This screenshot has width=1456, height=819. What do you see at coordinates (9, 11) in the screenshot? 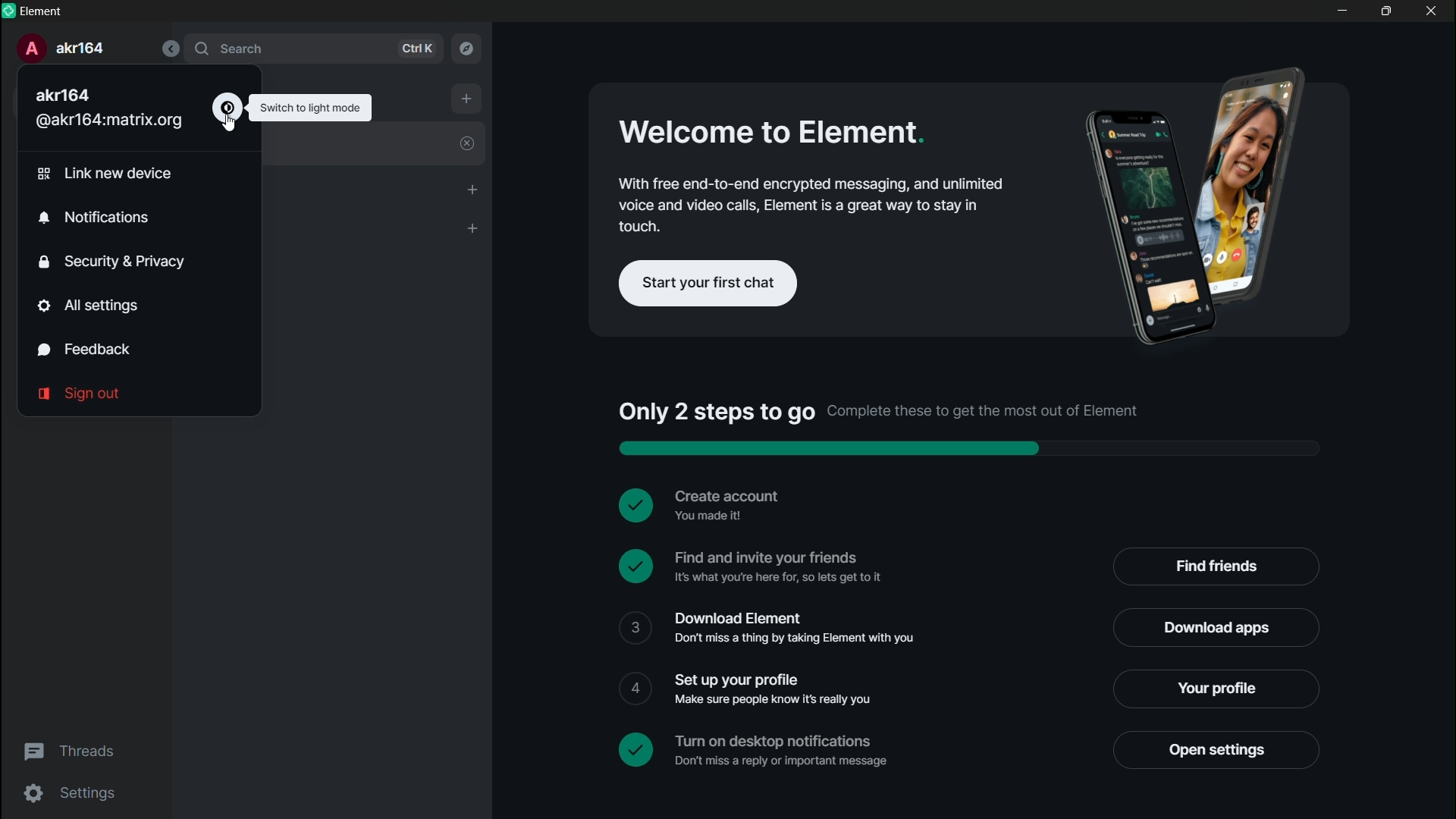
I see `app icon` at bounding box center [9, 11].